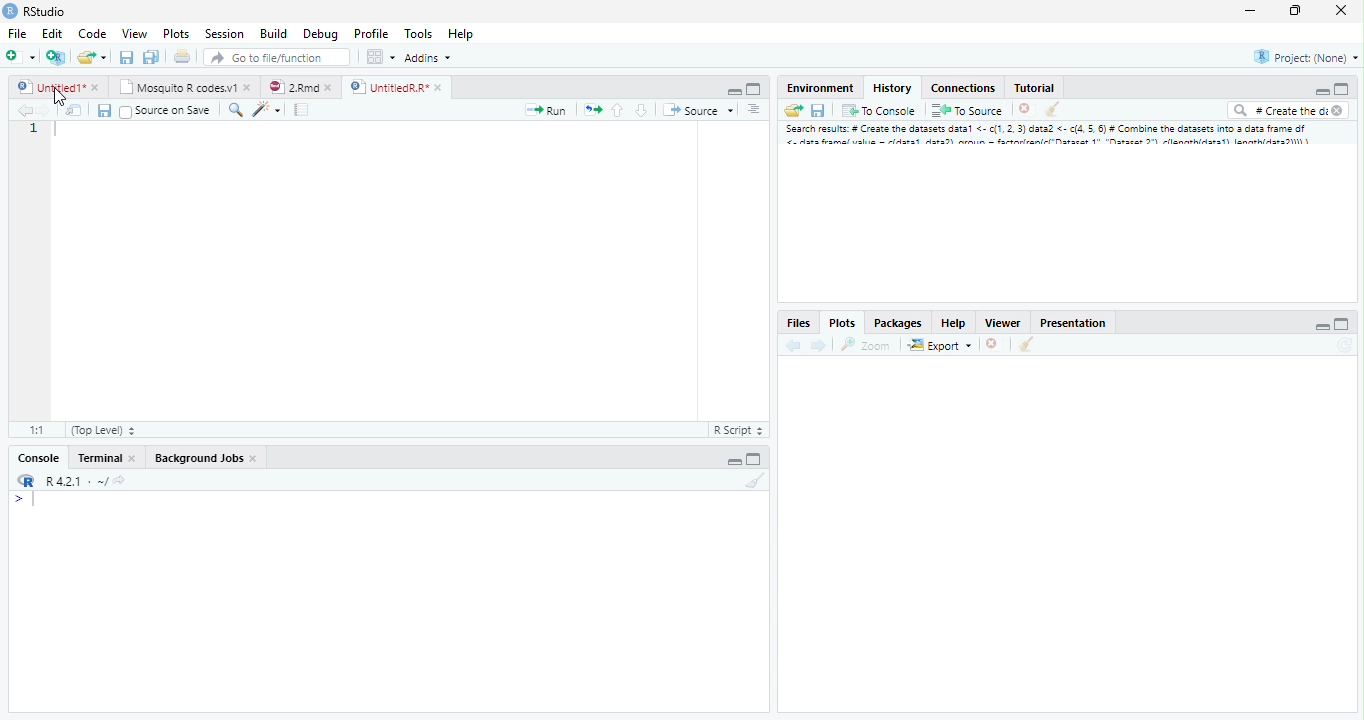  Describe the element at coordinates (818, 347) in the screenshot. I see `Next` at that location.